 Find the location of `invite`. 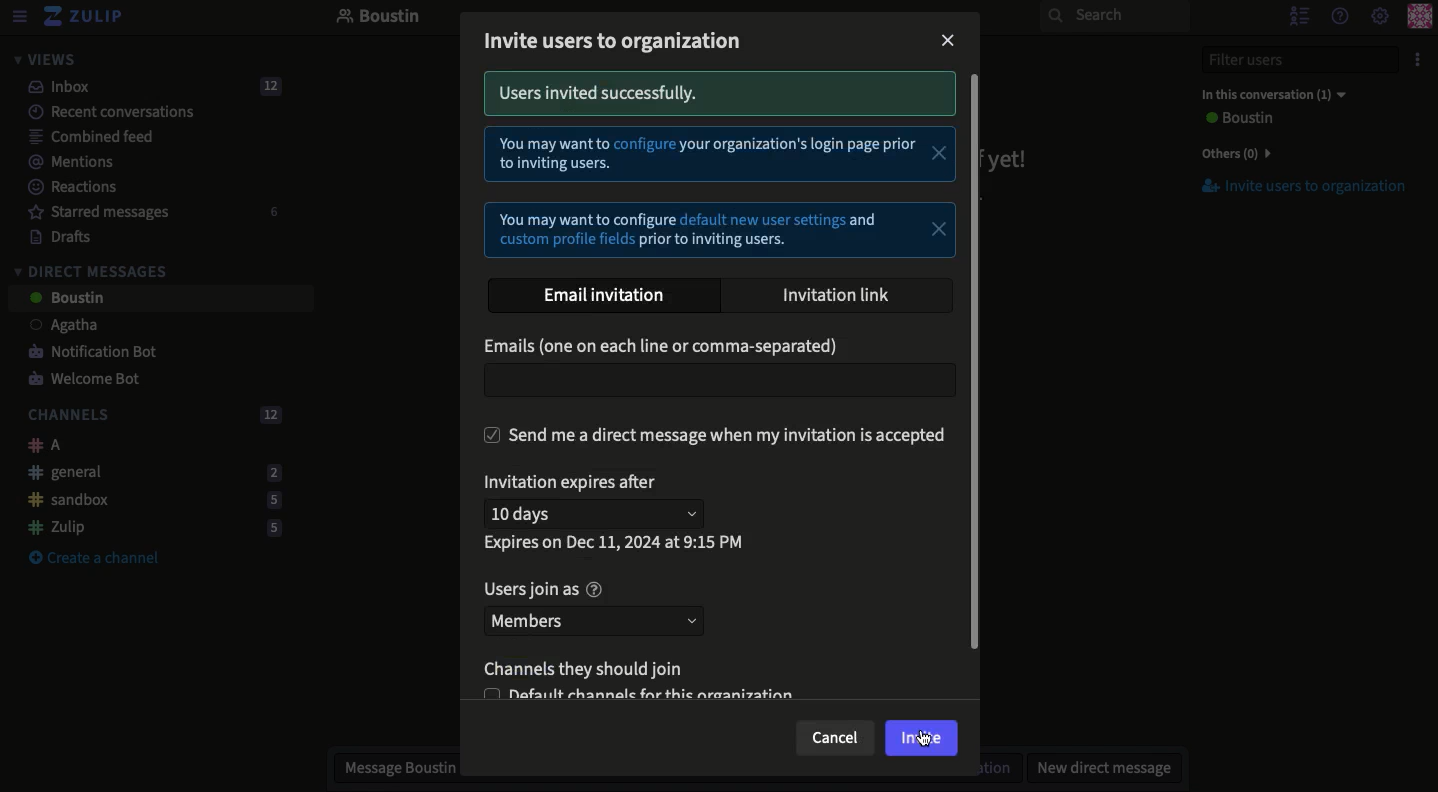

invite is located at coordinates (921, 737).